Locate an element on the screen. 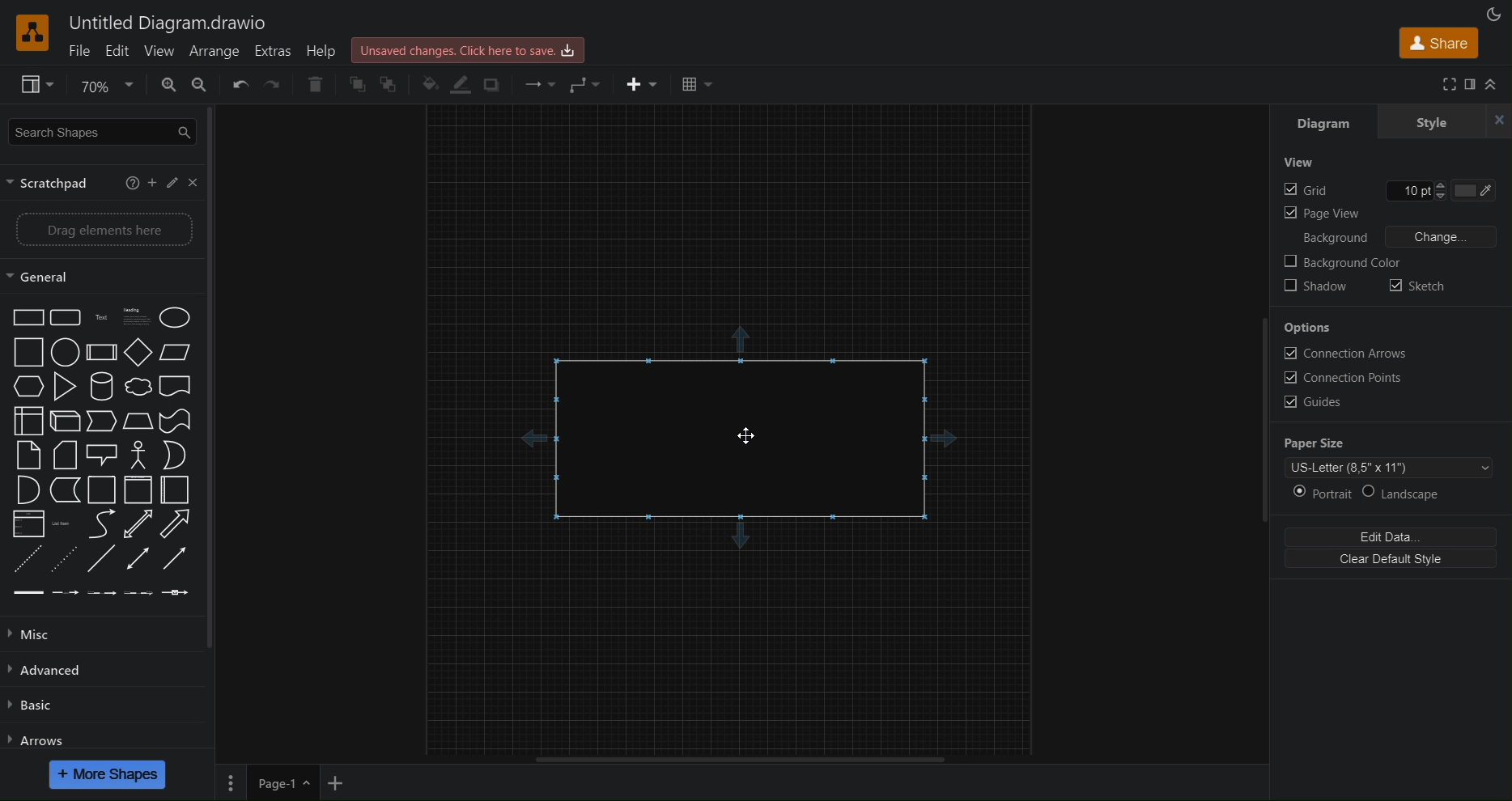 The image size is (1512, 801). Undo is located at coordinates (240, 87).